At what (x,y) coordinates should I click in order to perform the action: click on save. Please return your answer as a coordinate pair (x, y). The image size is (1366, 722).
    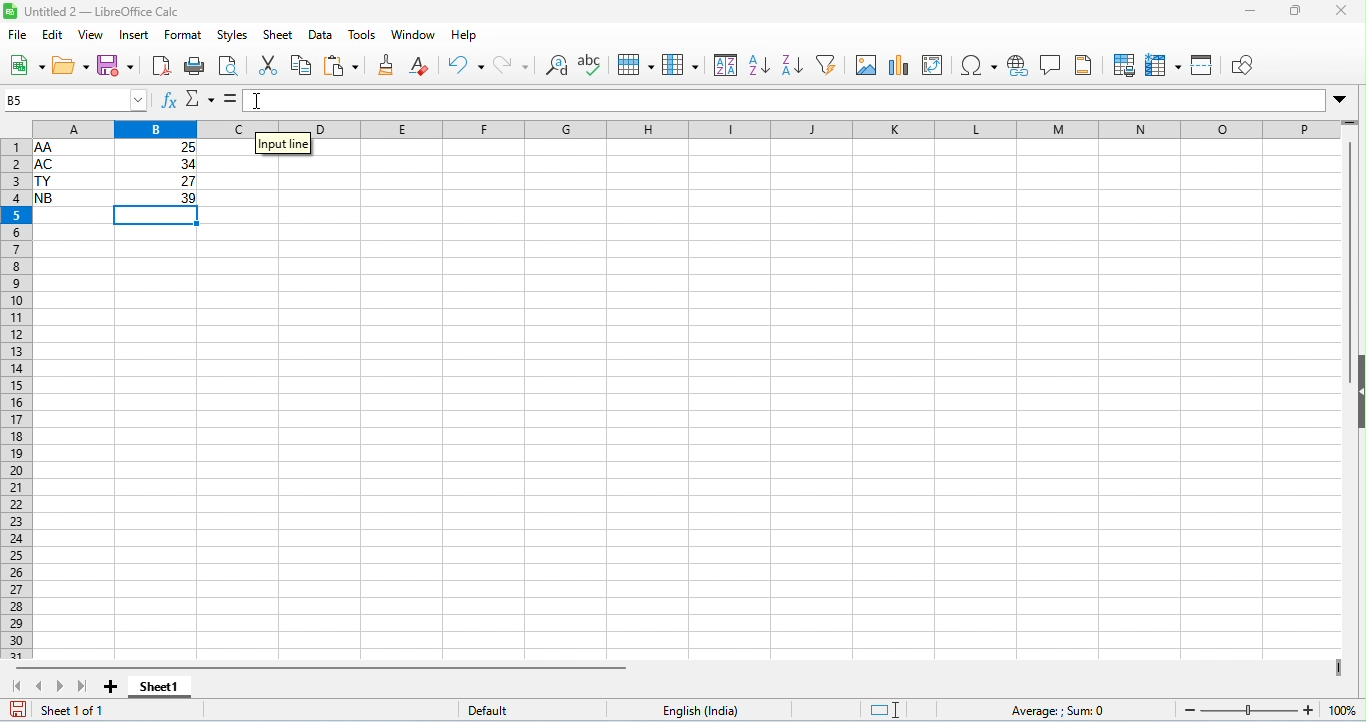
    Looking at the image, I should click on (20, 708).